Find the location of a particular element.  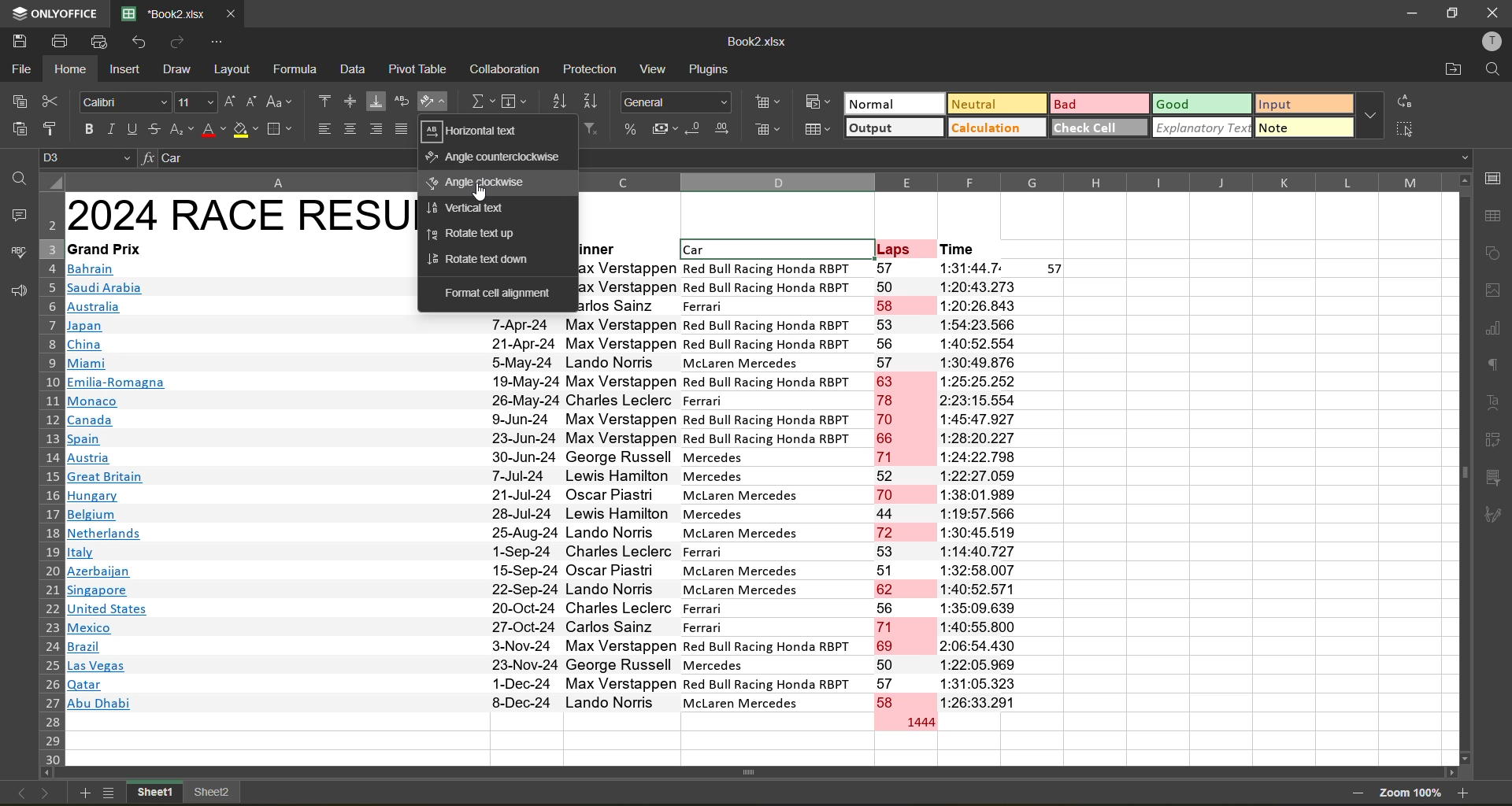

conditional formatting is located at coordinates (817, 100).